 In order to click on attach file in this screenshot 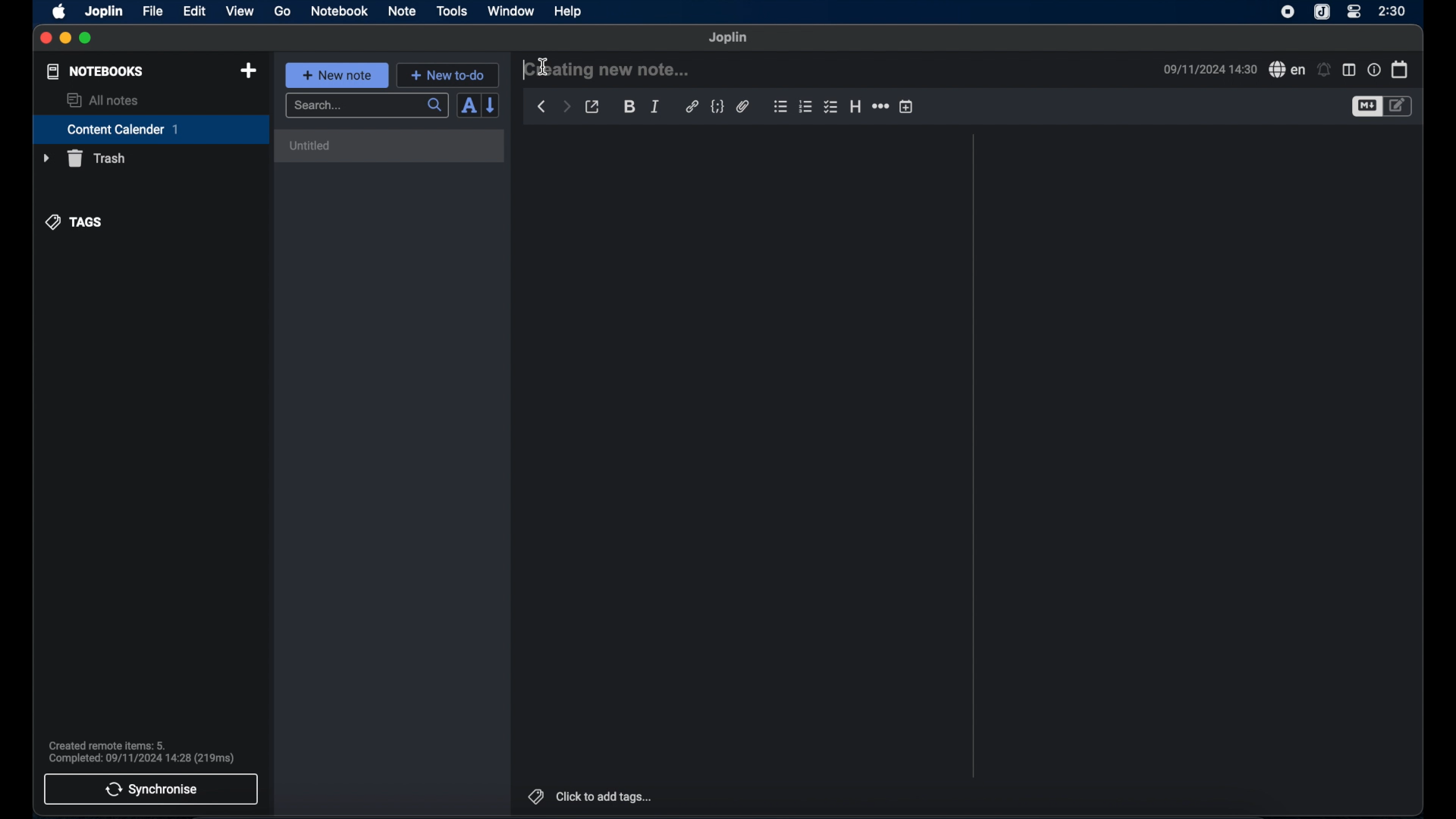, I will do `click(744, 106)`.